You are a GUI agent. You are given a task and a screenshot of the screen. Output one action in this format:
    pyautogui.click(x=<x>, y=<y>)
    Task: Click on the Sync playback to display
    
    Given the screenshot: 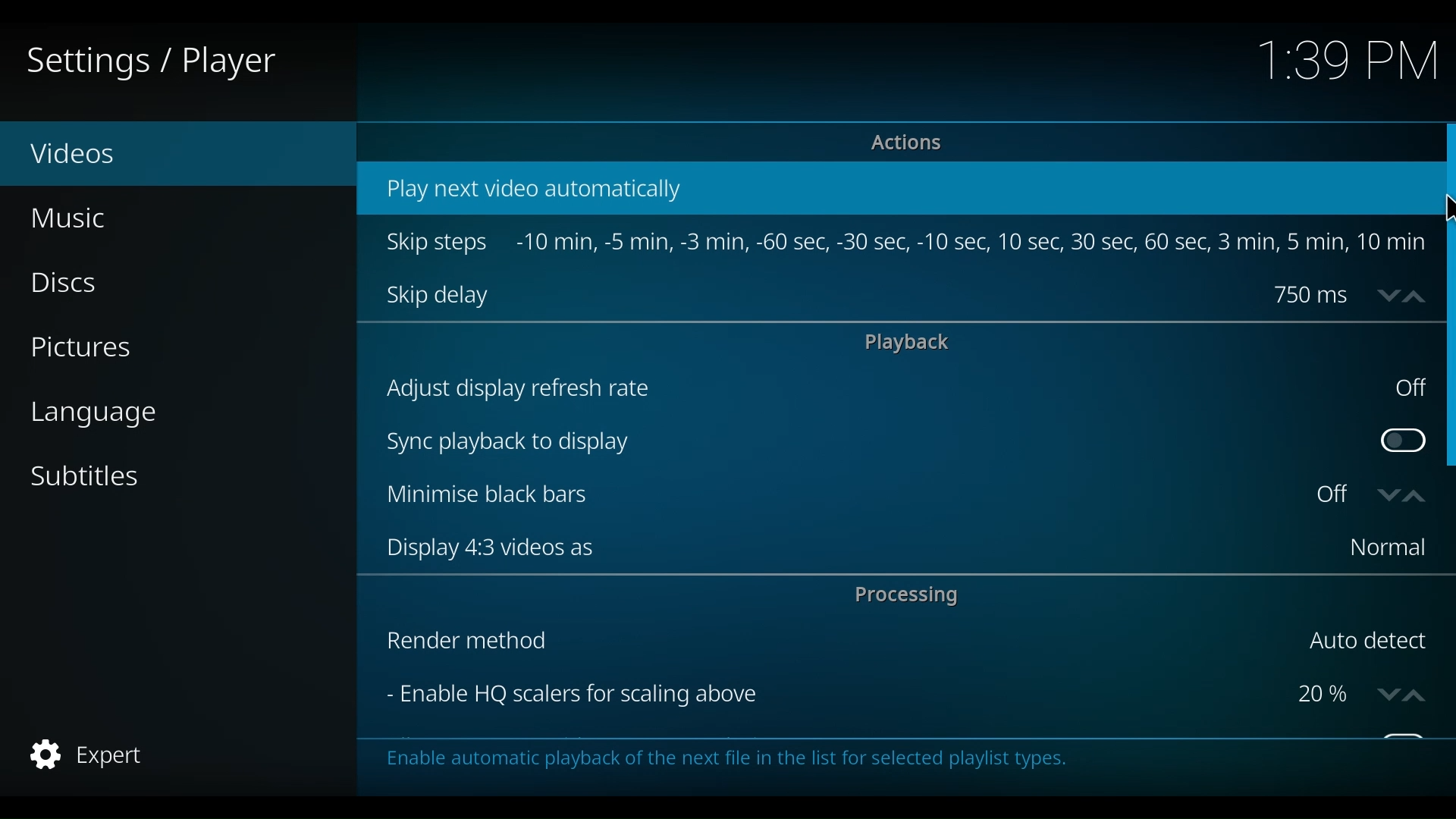 What is the action you would take?
    pyautogui.click(x=874, y=444)
    